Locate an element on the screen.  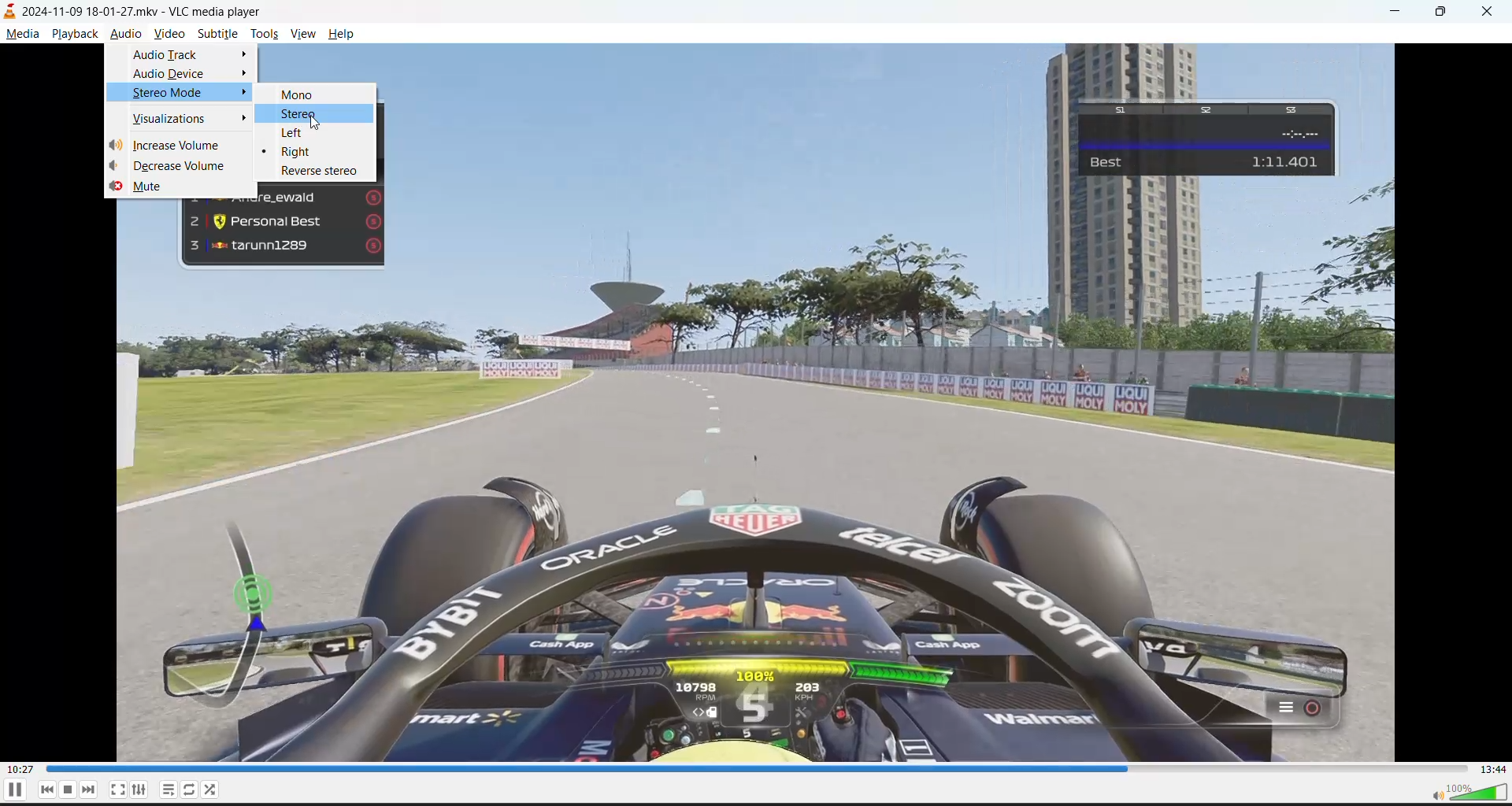
media is located at coordinates (22, 35).